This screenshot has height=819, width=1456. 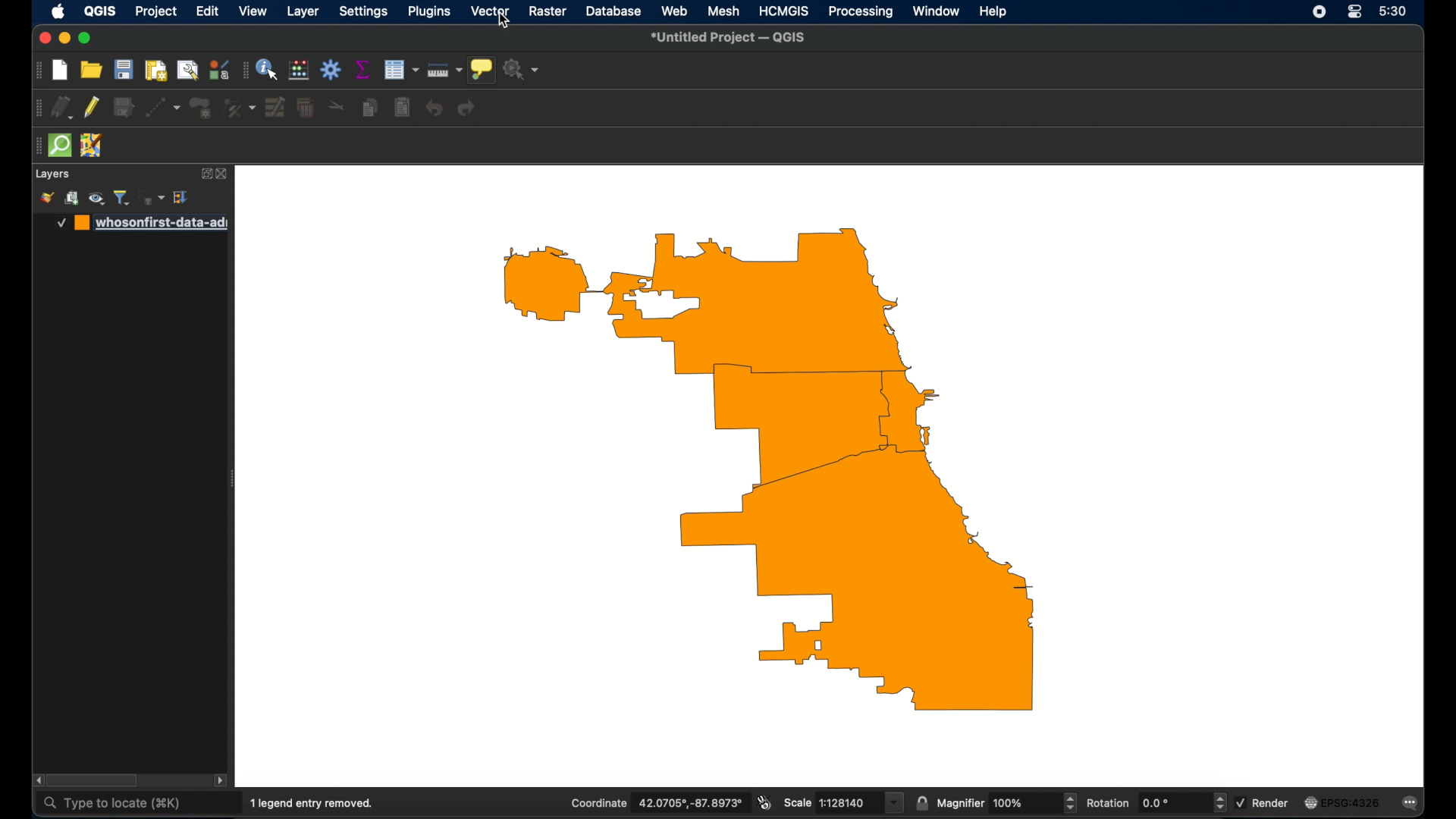 What do you see at coordinates (223, 781) in the screenshot?
I see `scroll right arrow` at bounding box center [223, 781].